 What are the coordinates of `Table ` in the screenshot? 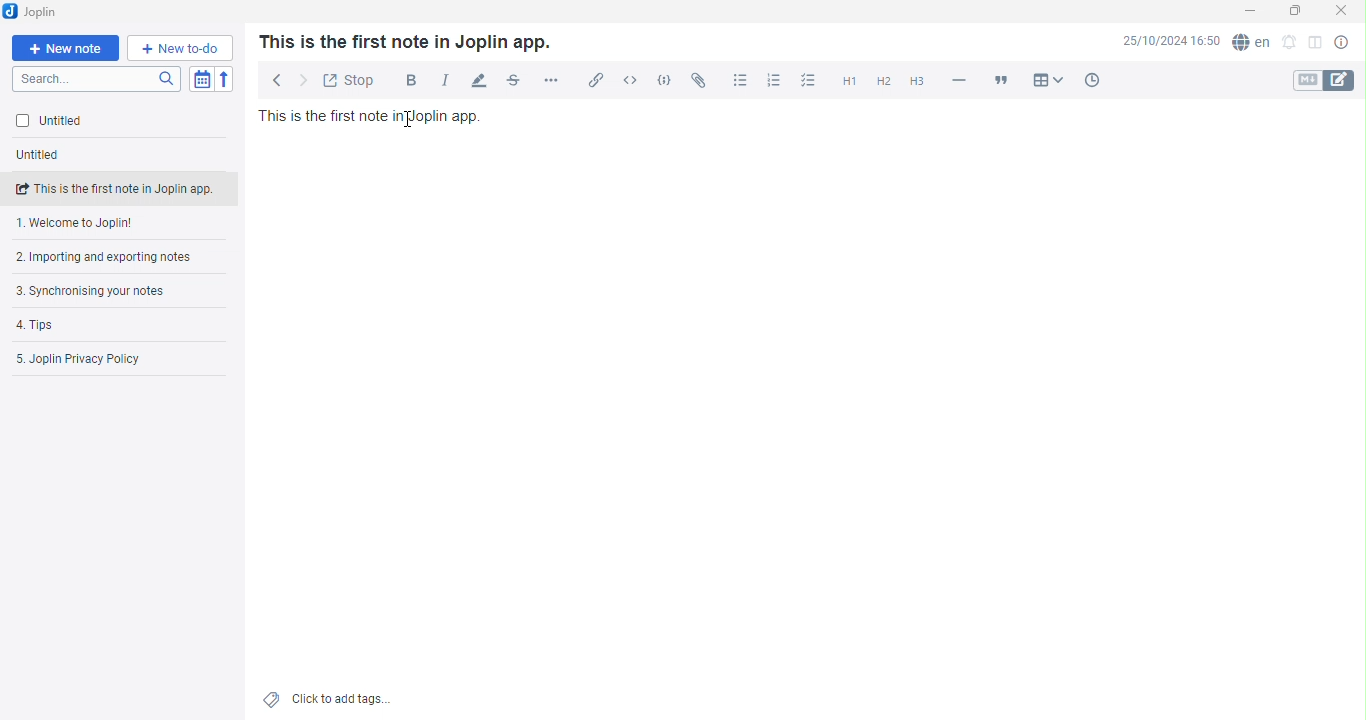 It's located at (1048, 78).